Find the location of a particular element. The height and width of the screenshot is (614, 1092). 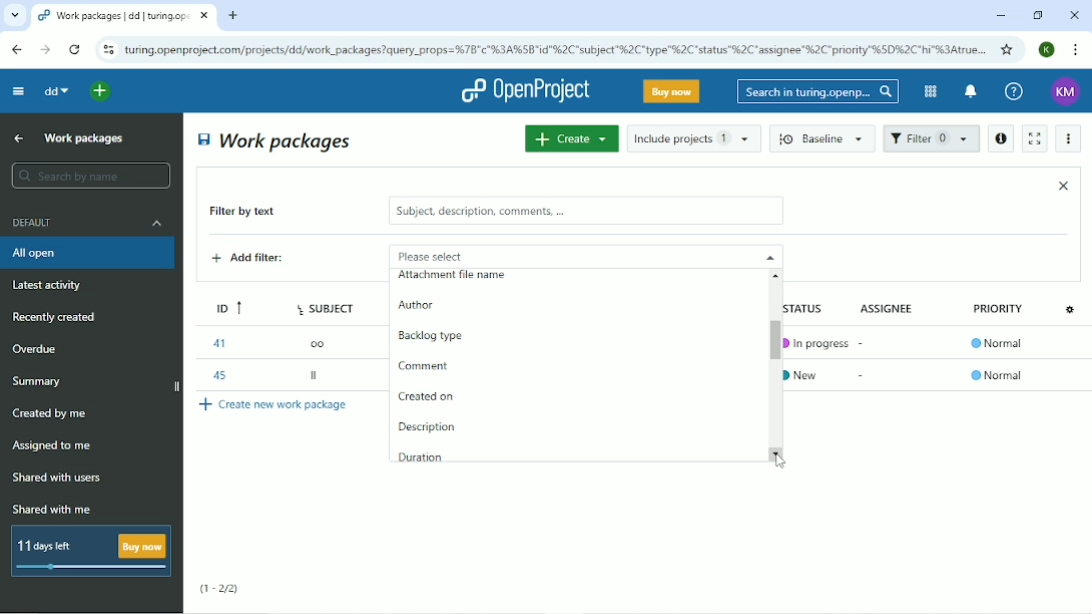

Open details view is located at coordinates (1000, 139).